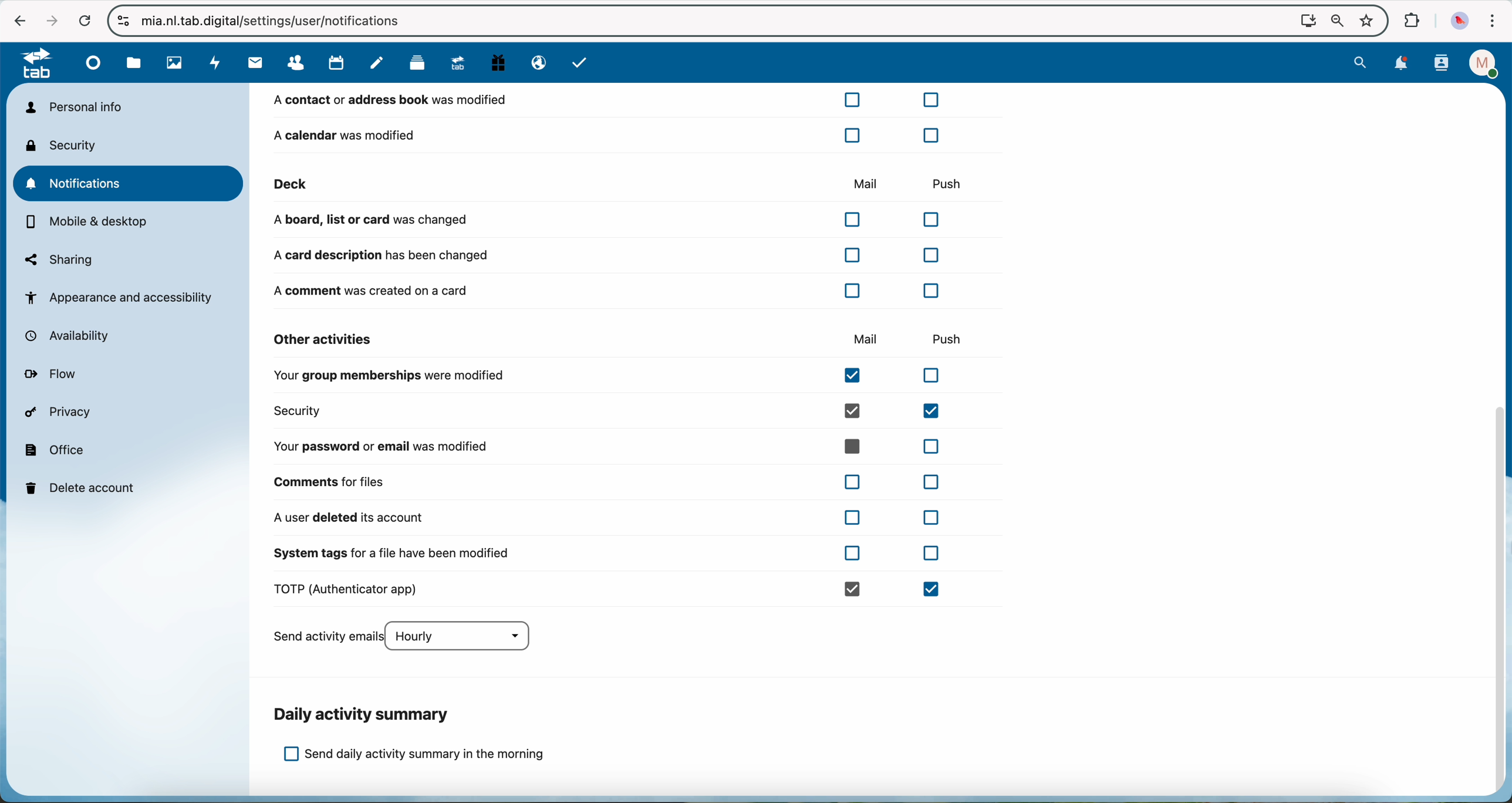  What do you see at coordinates (536, 63) in the screenshot?
I see `email` at bounding box center [536, 63].